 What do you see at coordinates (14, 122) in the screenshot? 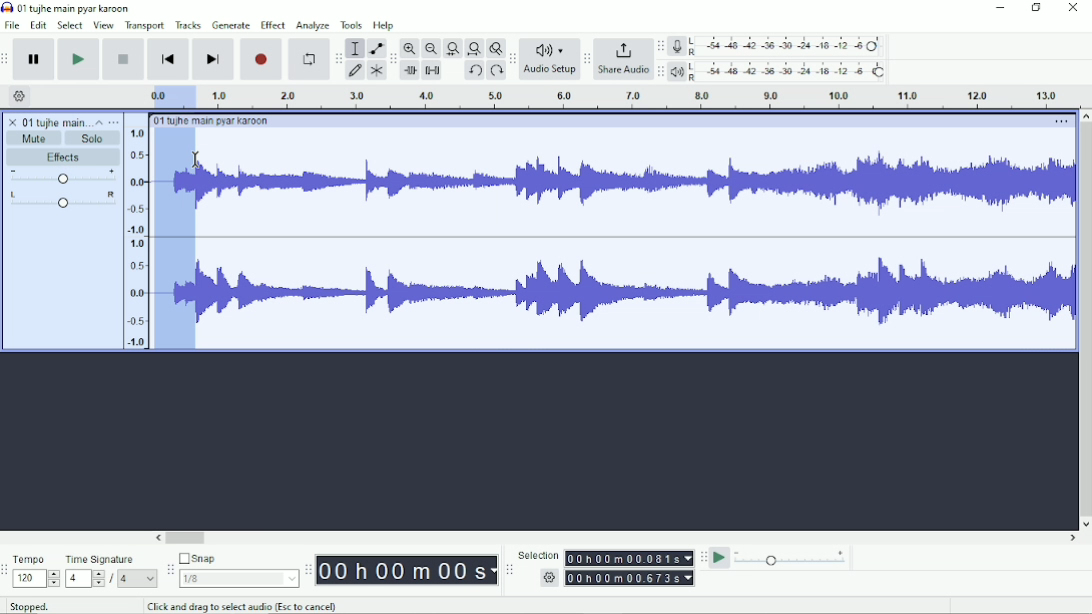
I see `cancel logo` at bounding box center [14, 122].